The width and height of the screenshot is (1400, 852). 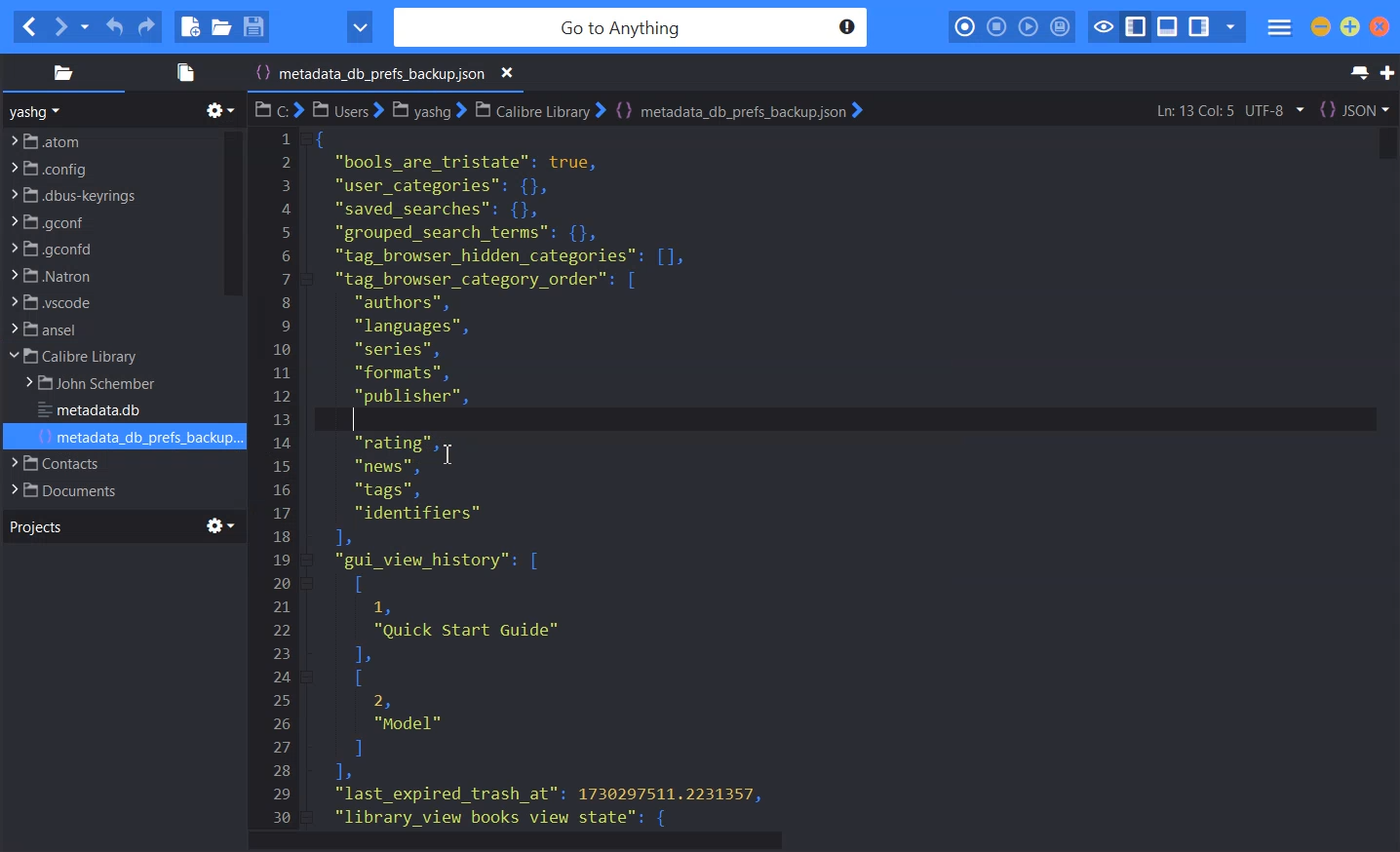 What do you see at coordinates (508, 73) in the screenshot?
I see `Close` at bounding box center [508, 73].